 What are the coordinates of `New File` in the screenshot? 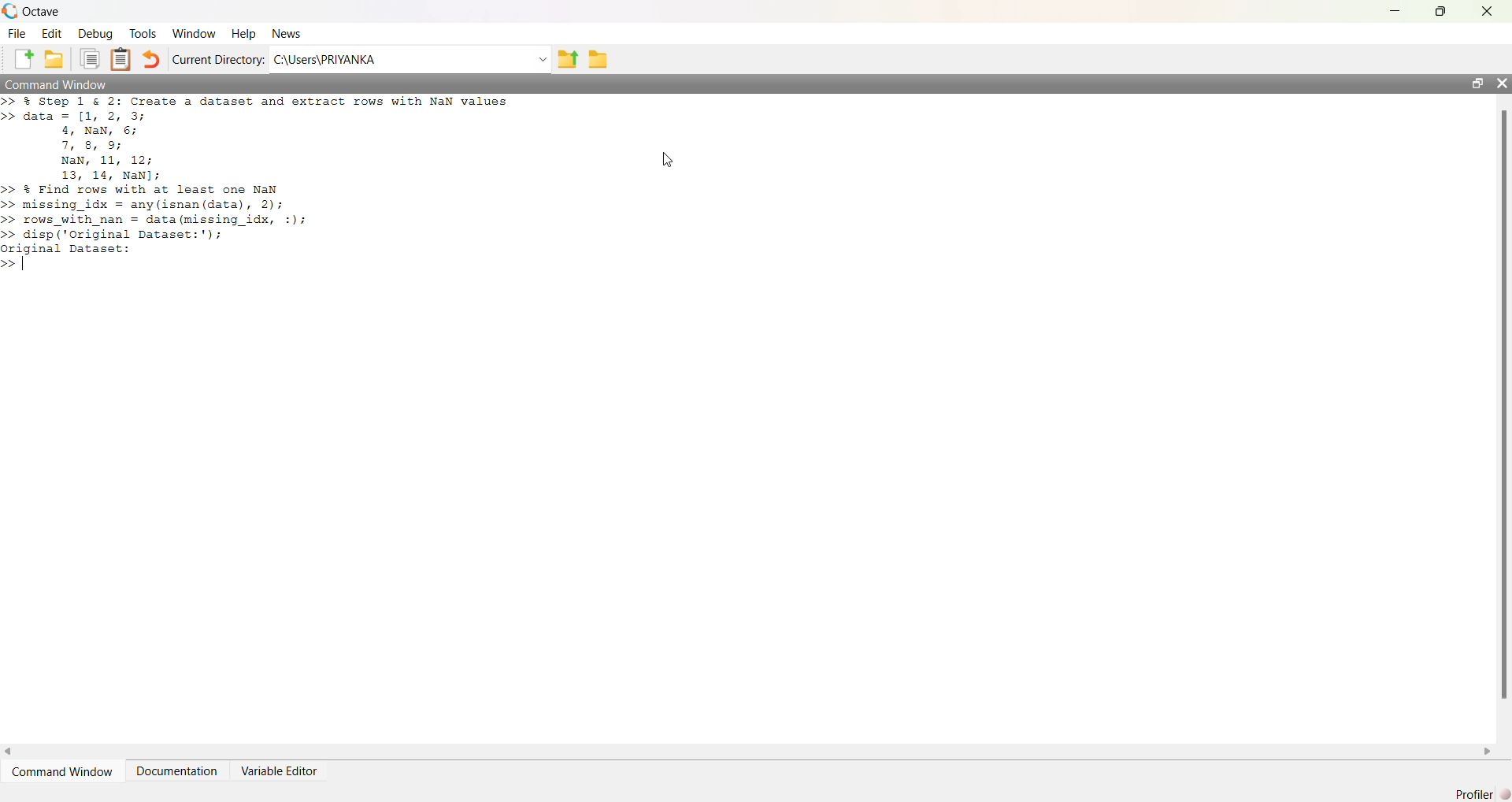 It's located at (24, 59).